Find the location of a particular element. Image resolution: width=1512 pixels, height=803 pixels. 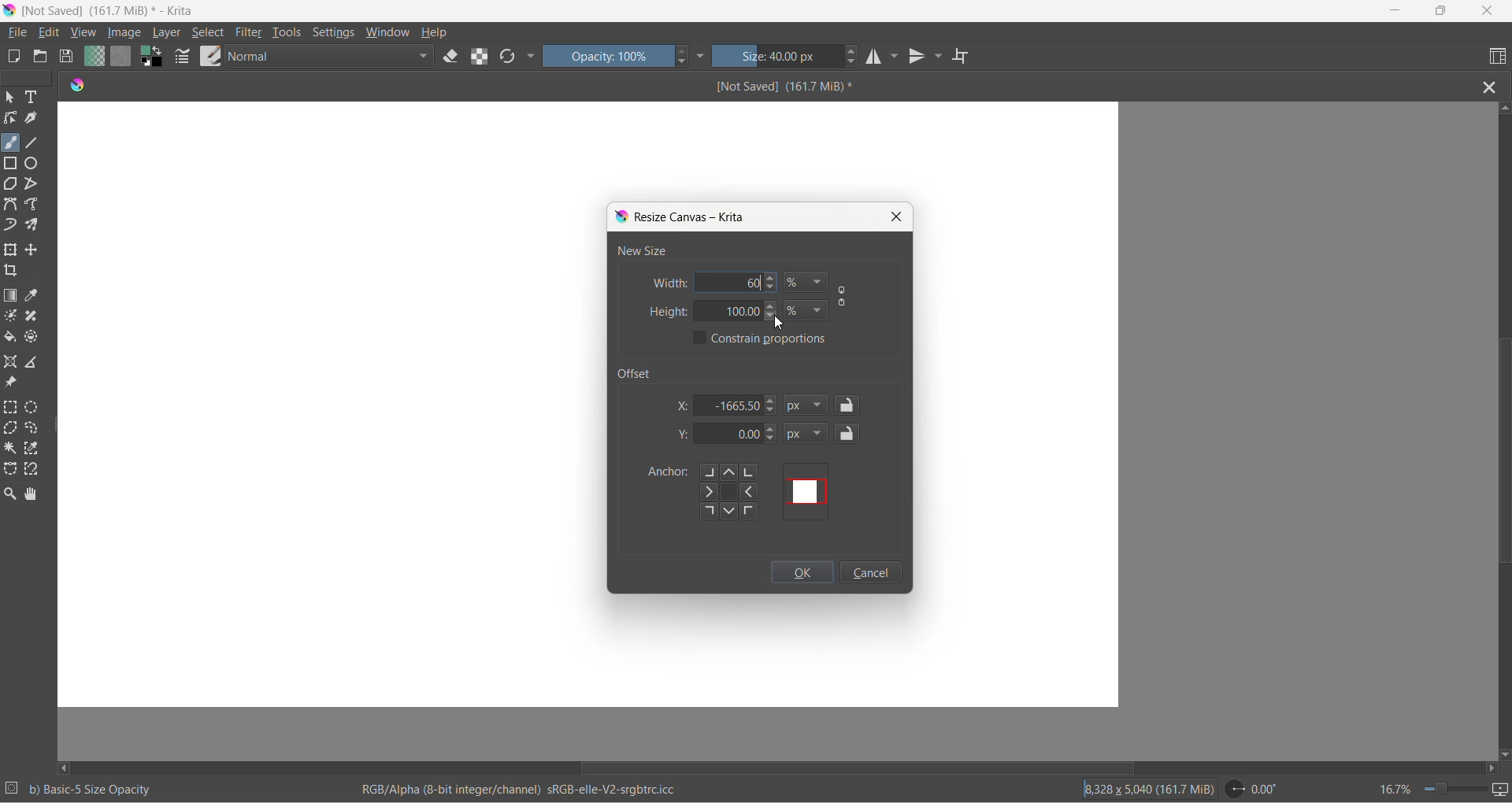

save is located at coordinates (67, 58).